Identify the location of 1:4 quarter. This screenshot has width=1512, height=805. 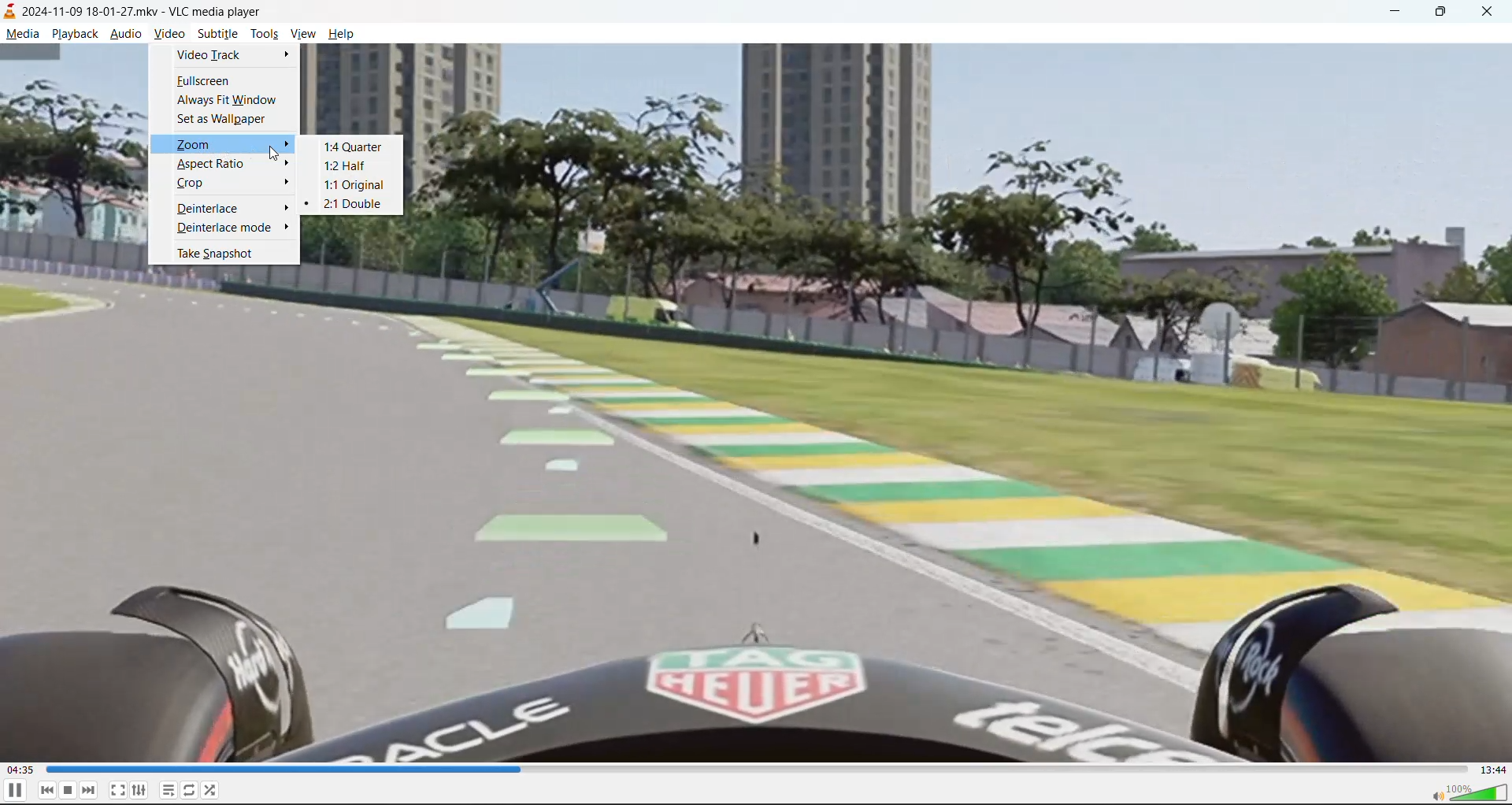
(350, 147).